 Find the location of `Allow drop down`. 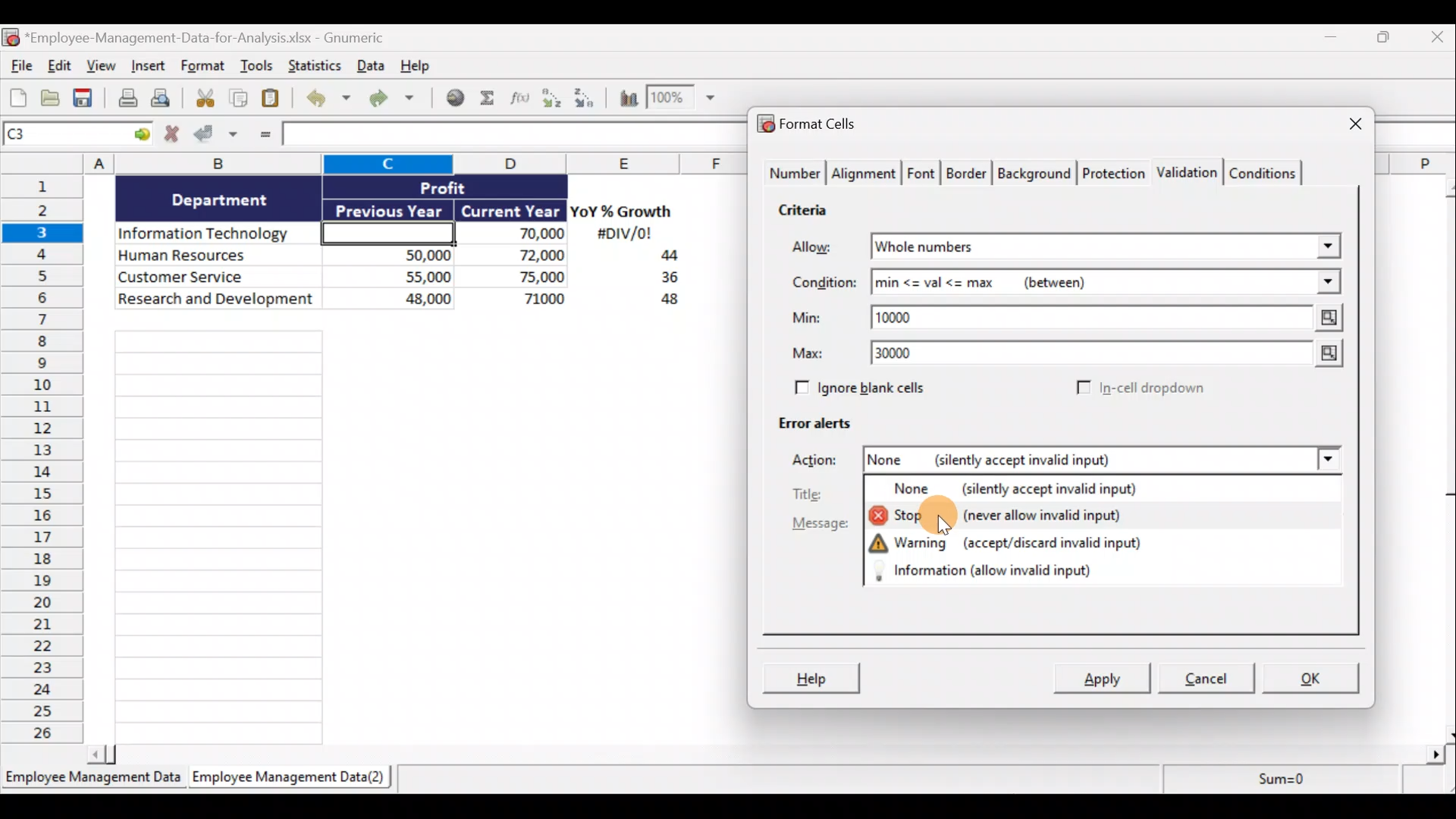

Allow drop down is located at coordinates (1325, 242).